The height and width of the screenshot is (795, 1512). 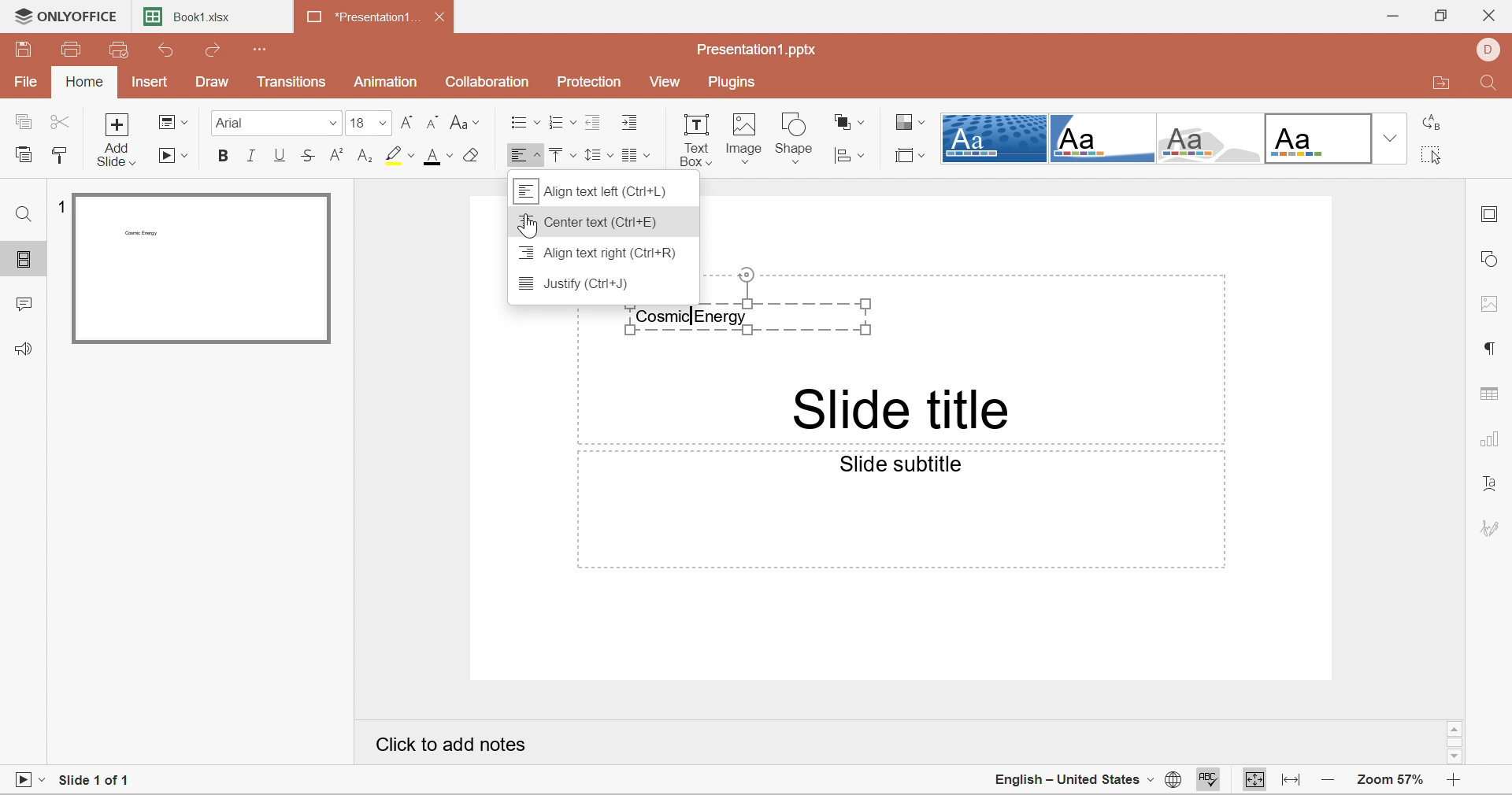 What do you see at coordinates (1392, 780) in the screenshot?
I see `Zoom 57%` at bounding box center [1392, 780].